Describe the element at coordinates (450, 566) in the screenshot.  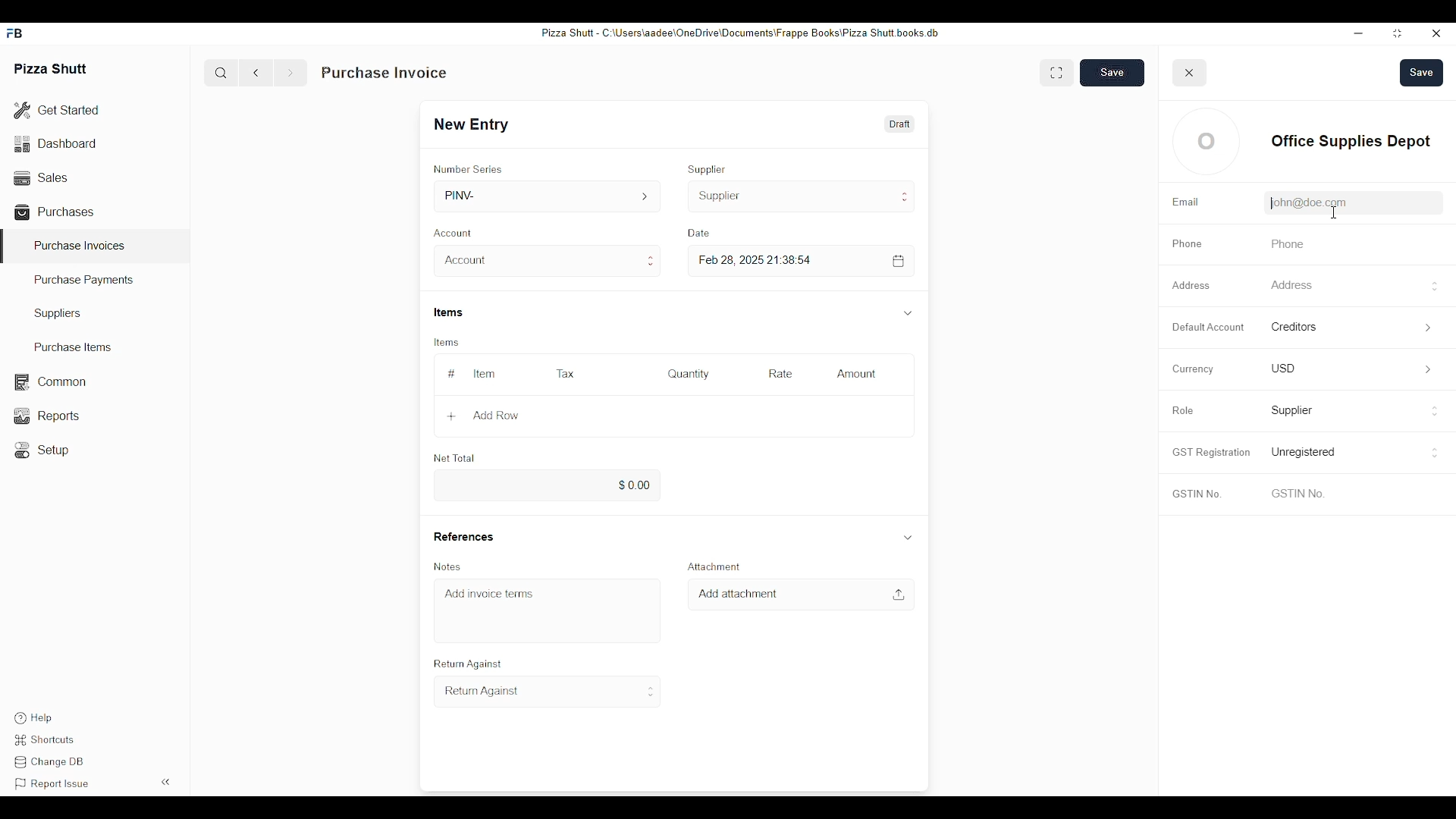
I see `Notes` at that location.